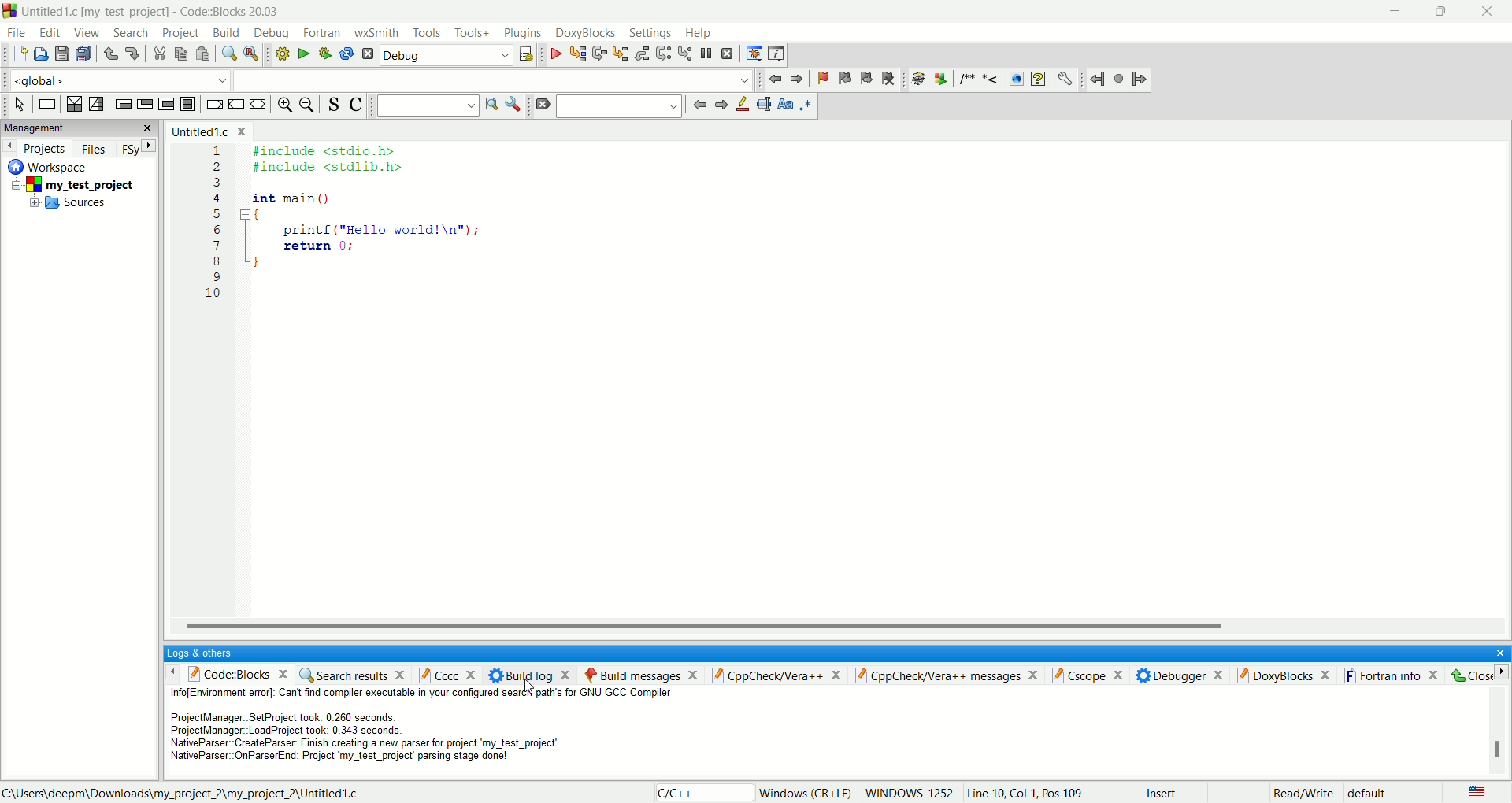  I want to click on paste, so click(202, 54).